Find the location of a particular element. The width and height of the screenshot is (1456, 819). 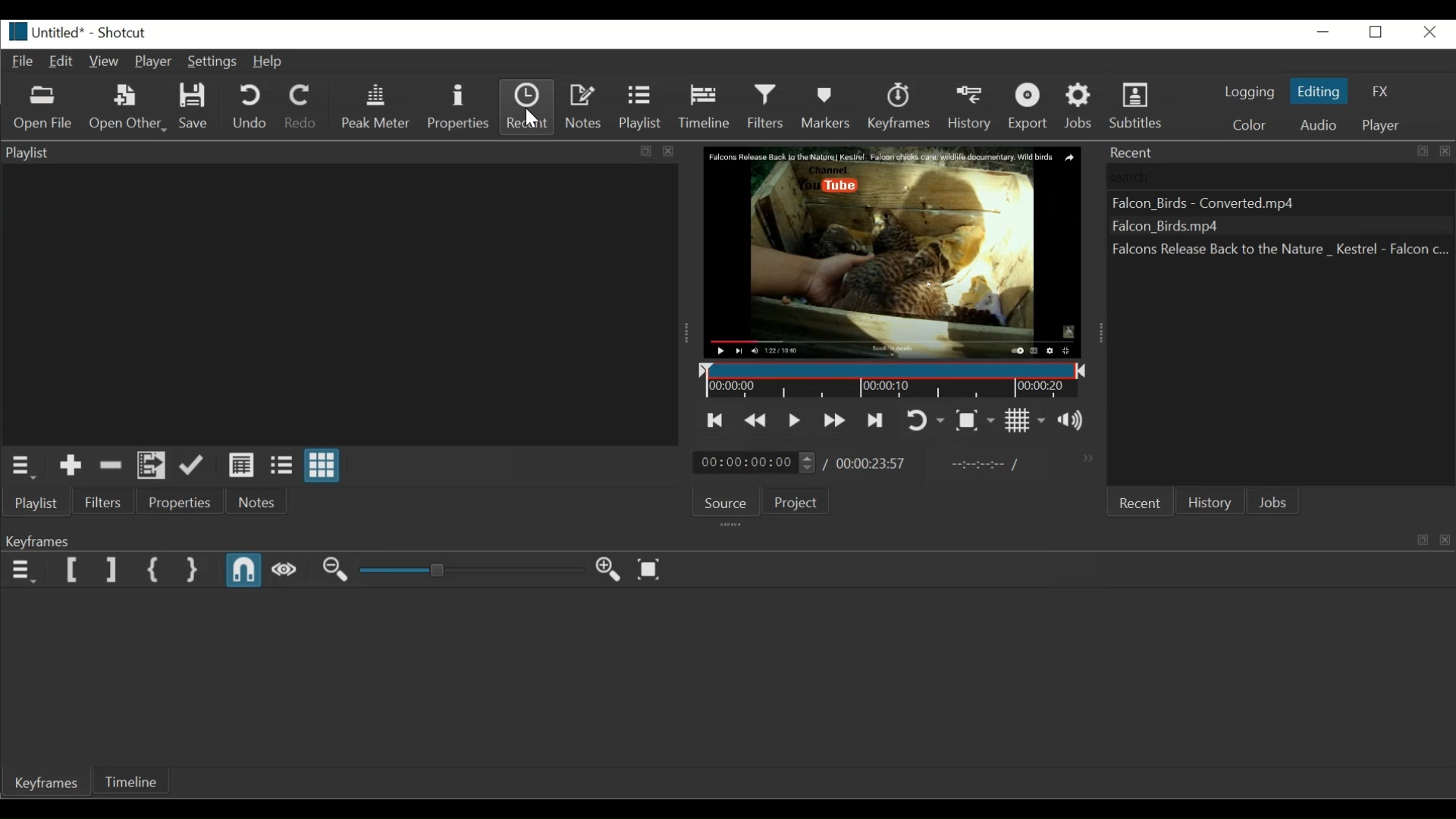

Restore is located at coordinates (1376, 32).